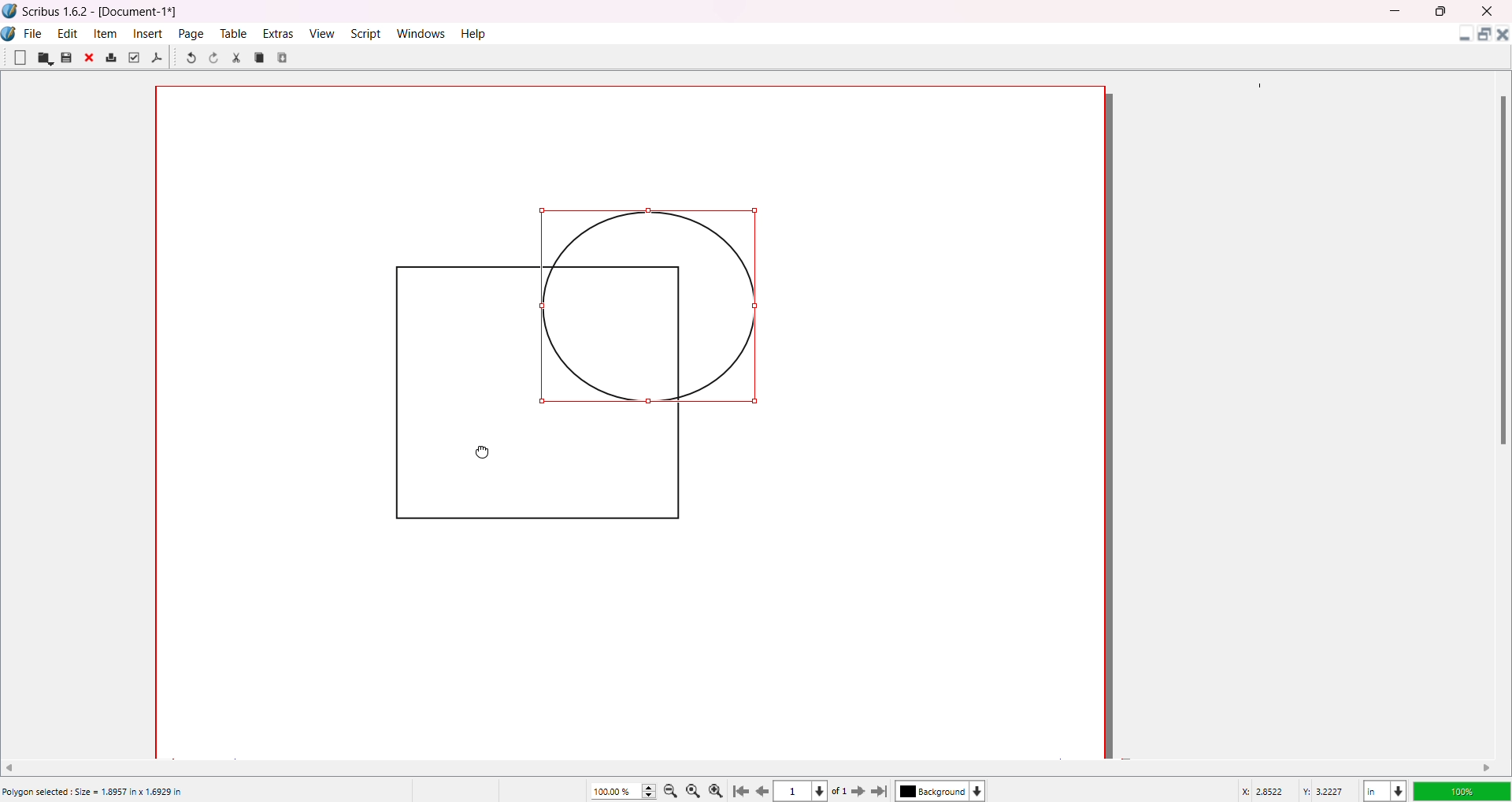  What do you see at coordinates (1503, 37) in the screenshot?
I see `Close Document` at bounding box center [1503, 37].